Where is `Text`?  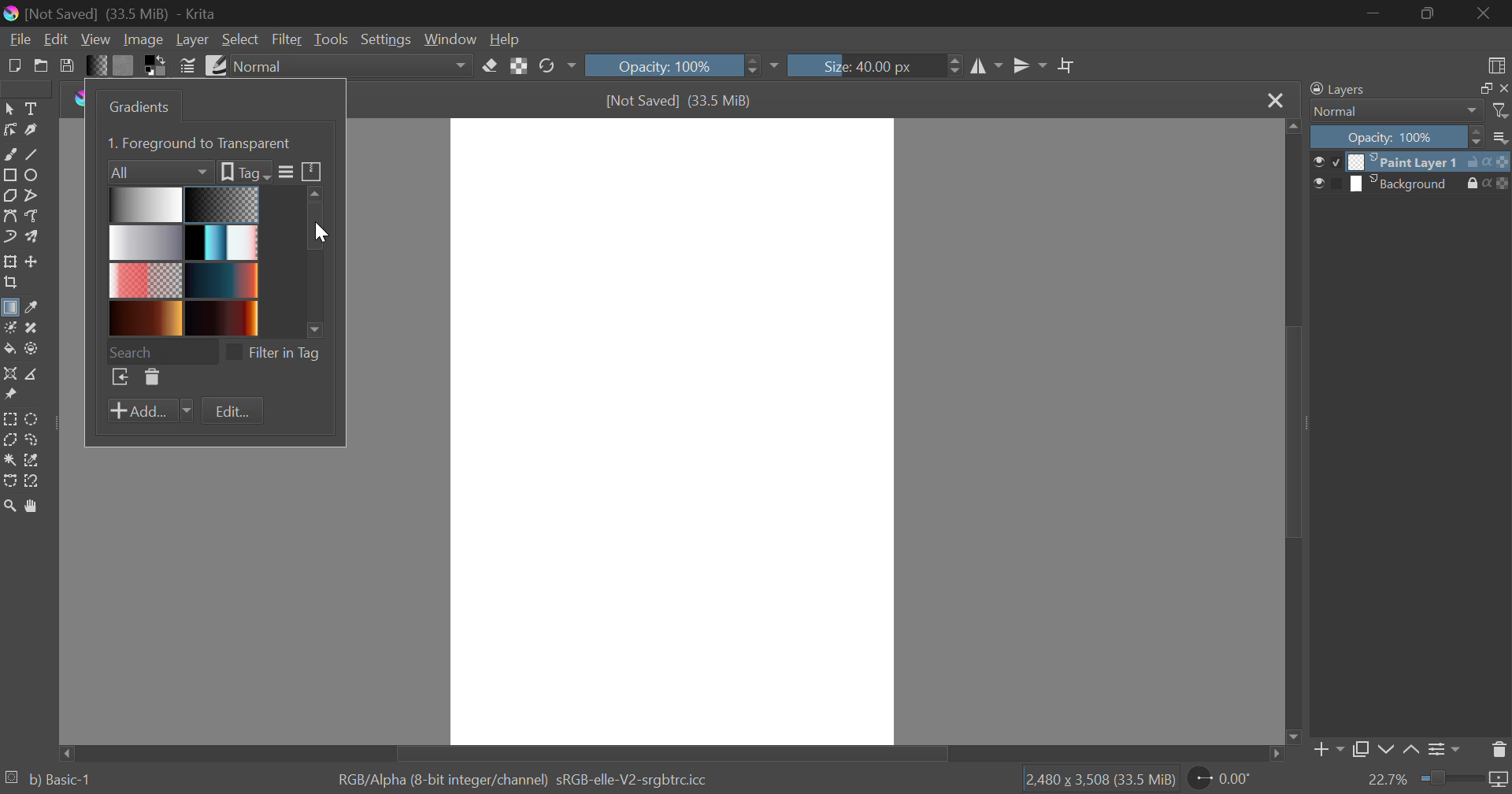 Text is located at coordinates (30, 107).